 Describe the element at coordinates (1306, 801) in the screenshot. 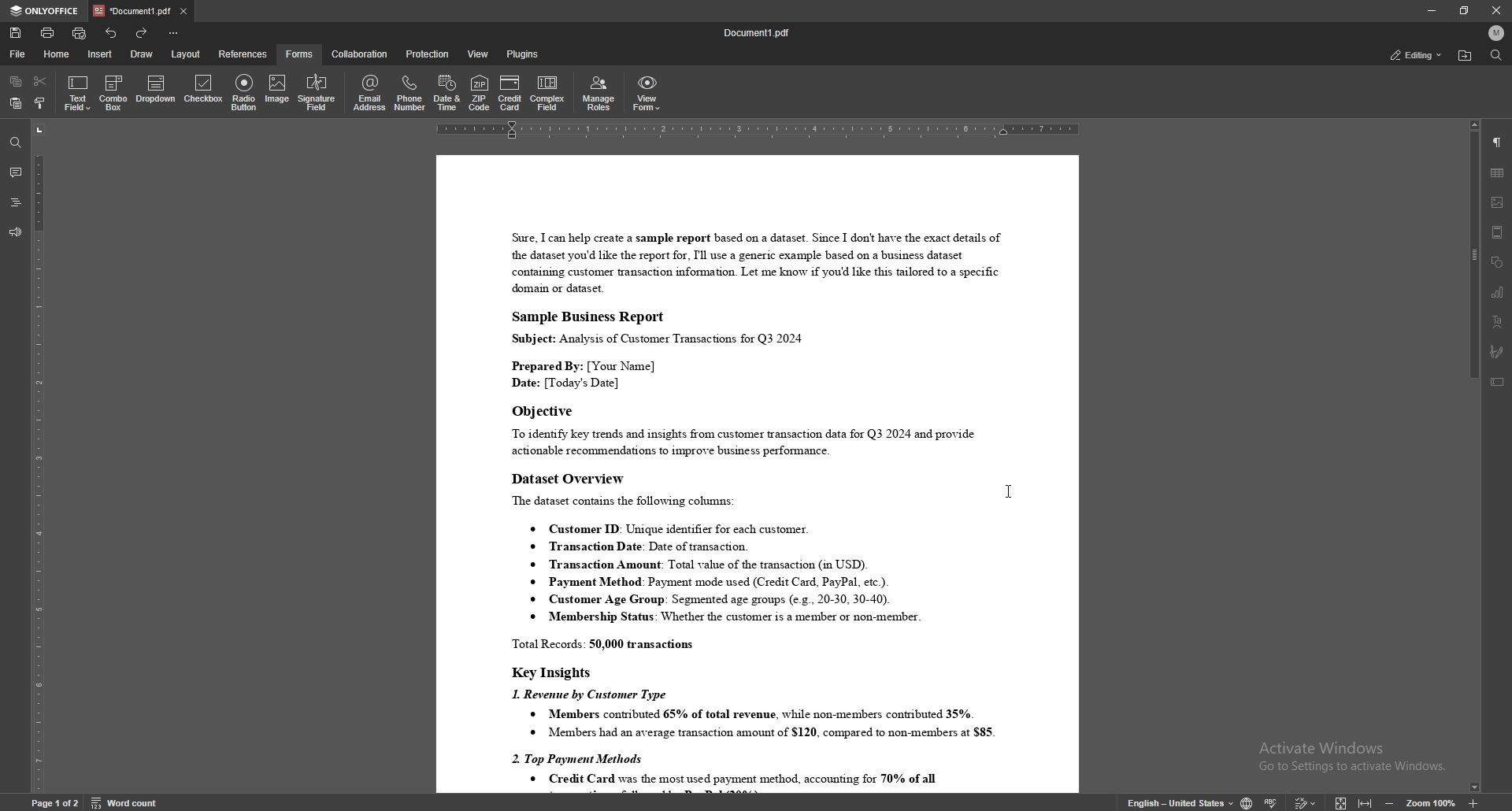

I see `track change` at that location.